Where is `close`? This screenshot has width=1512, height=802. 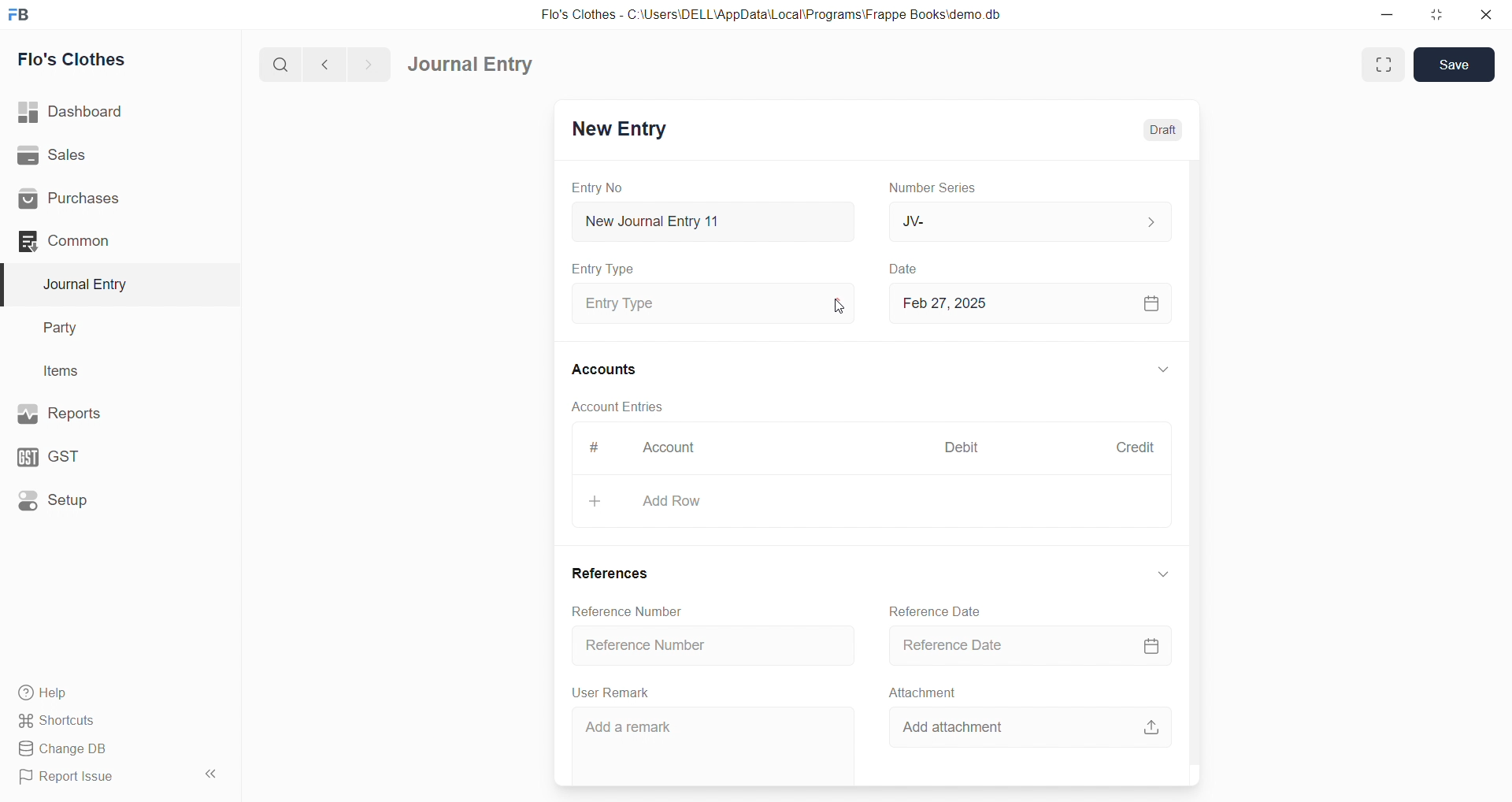 close is located at coordinates (1488, 14).